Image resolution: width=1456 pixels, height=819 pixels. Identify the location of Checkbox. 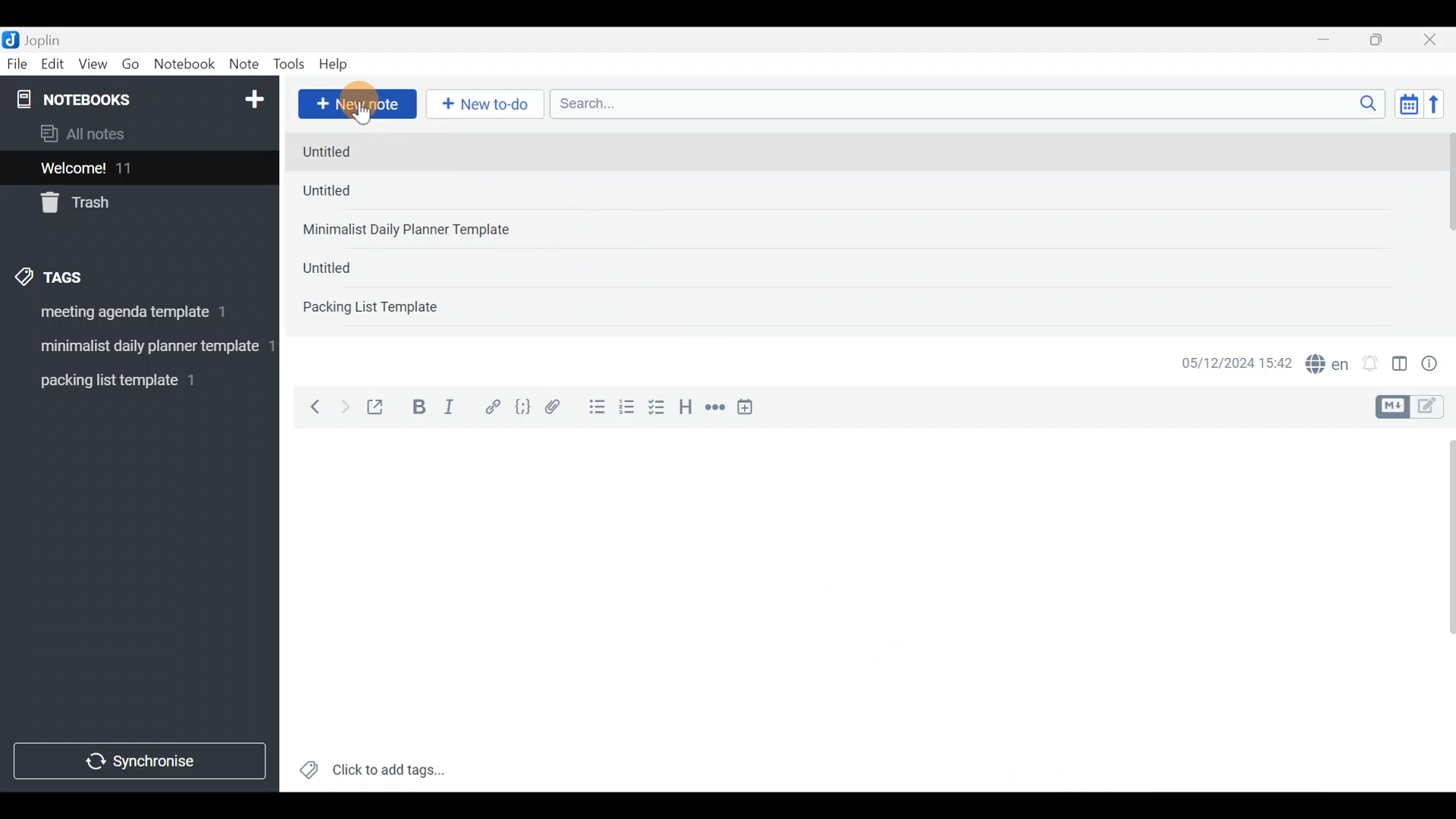
(658, 409).